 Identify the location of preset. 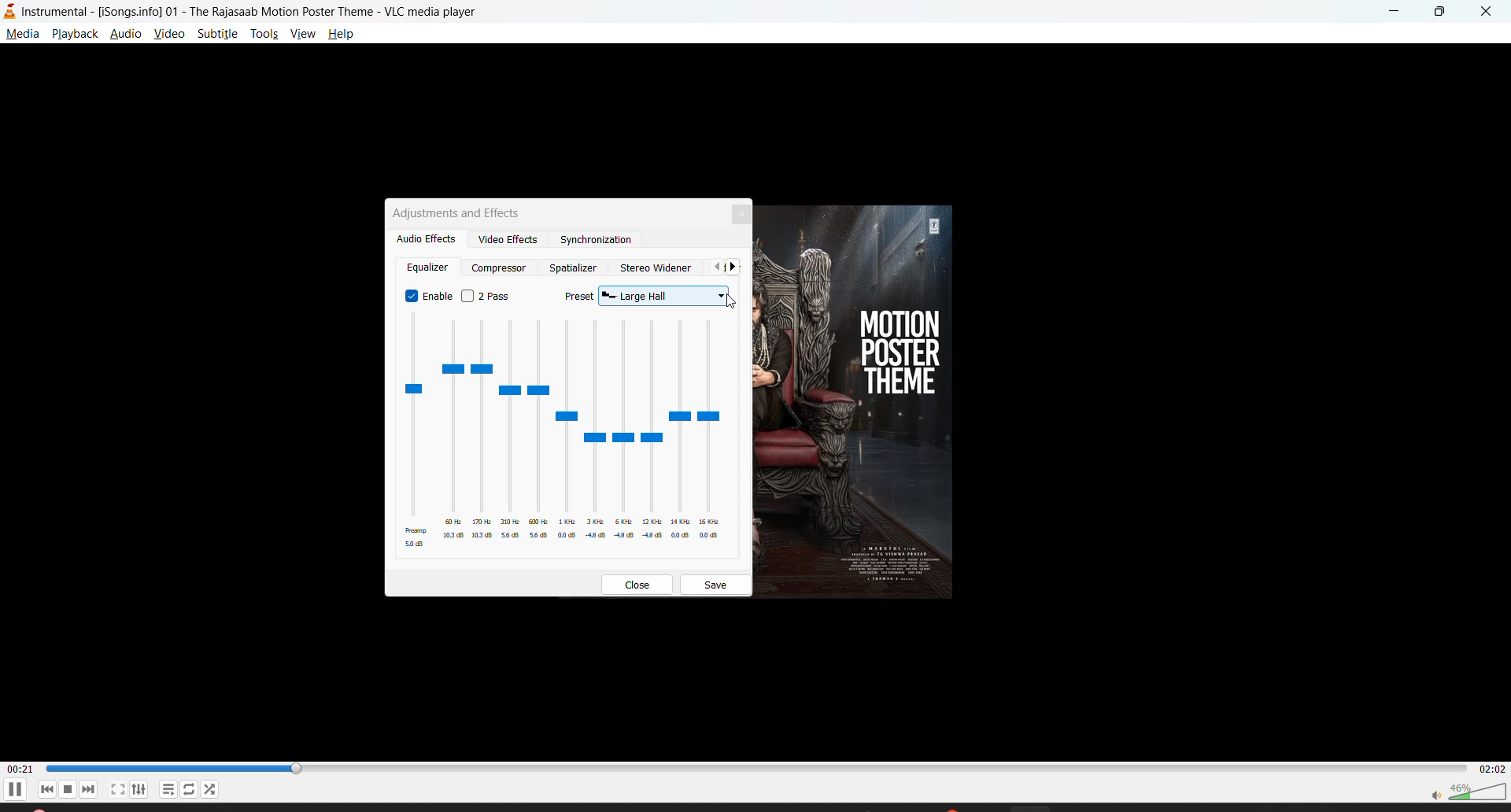
(652, 298).